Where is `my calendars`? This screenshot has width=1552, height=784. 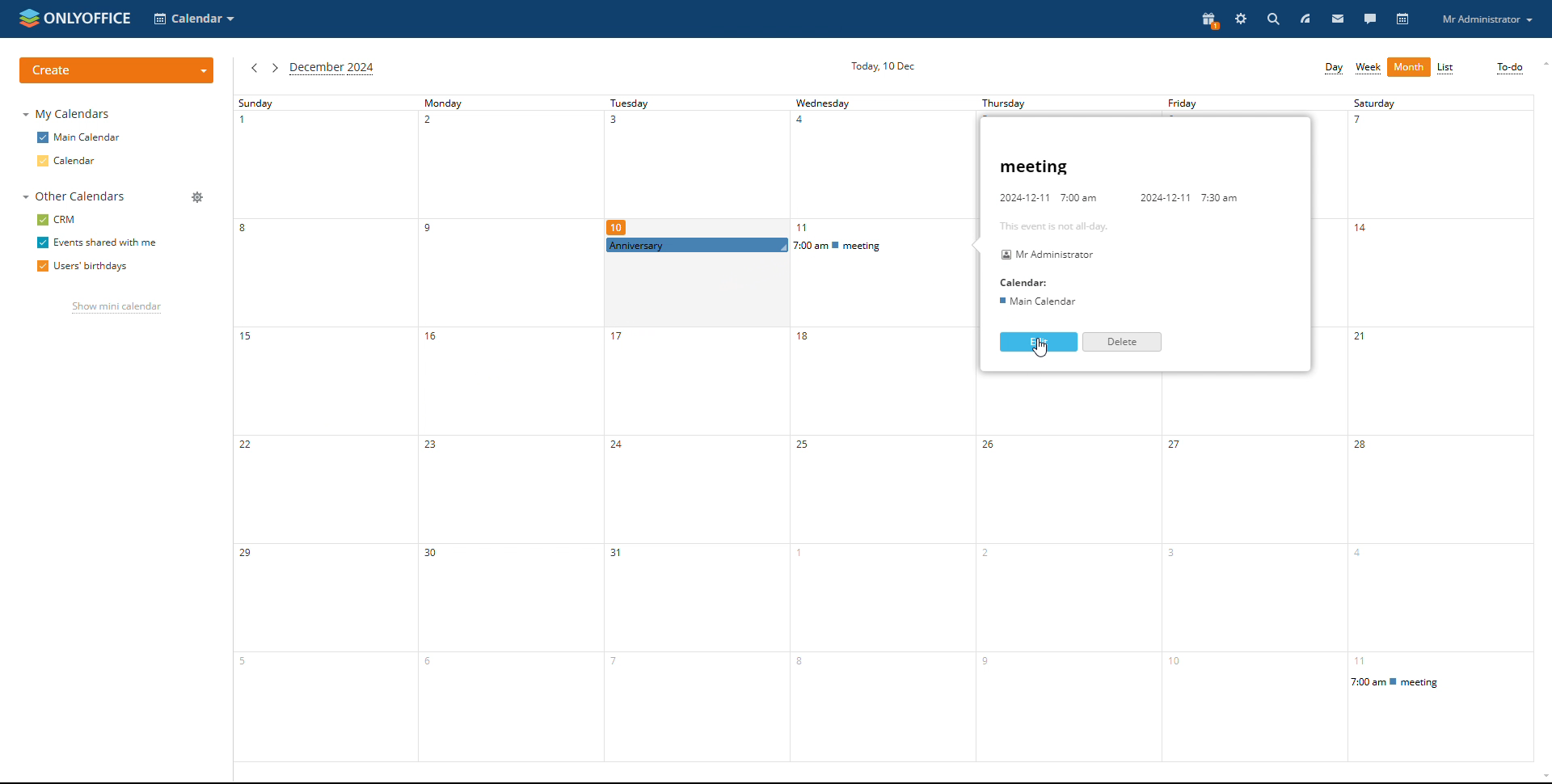
my calendars is located at coordinates (67, 115).